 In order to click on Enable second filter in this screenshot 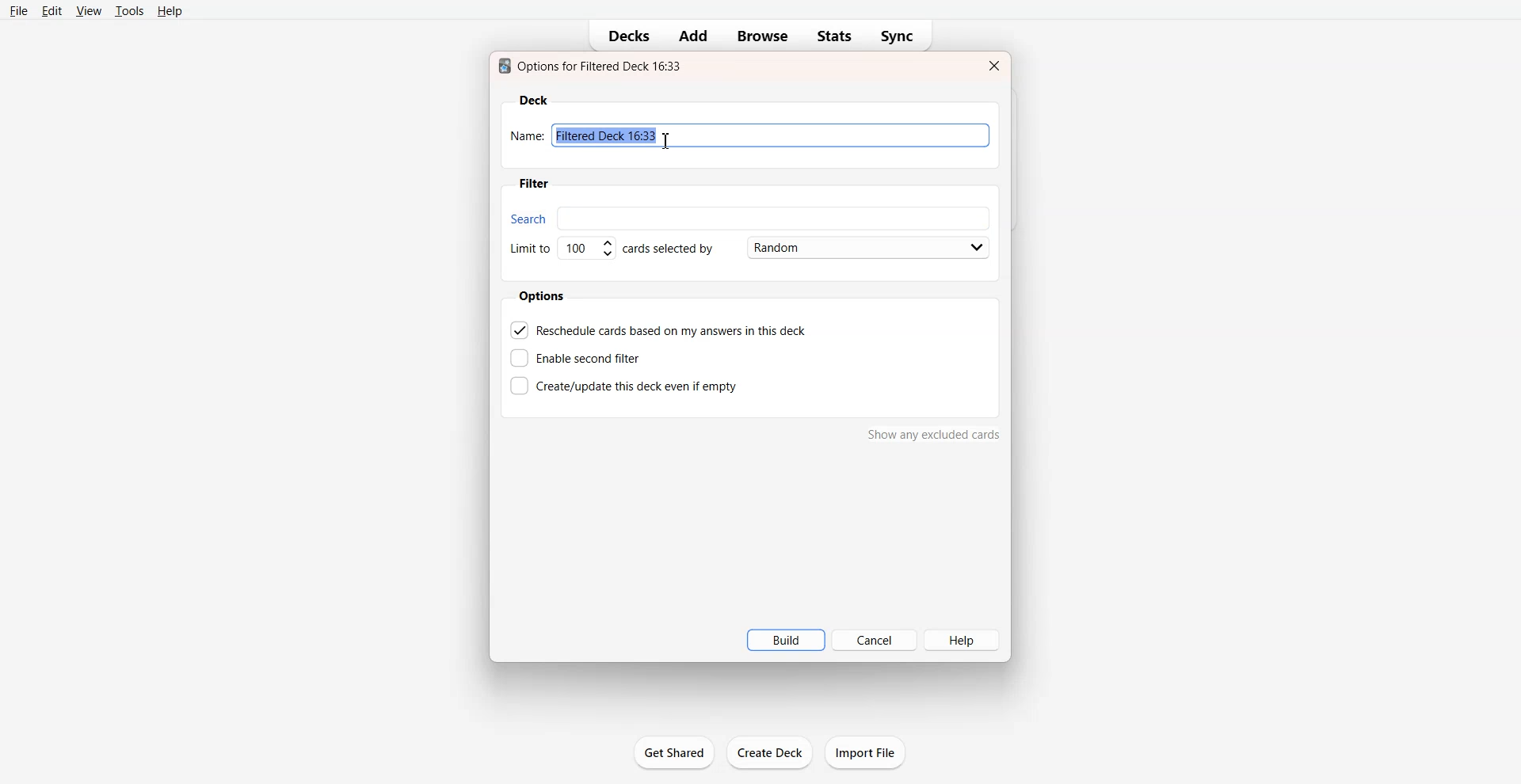, I will do `click(581, 358)`.